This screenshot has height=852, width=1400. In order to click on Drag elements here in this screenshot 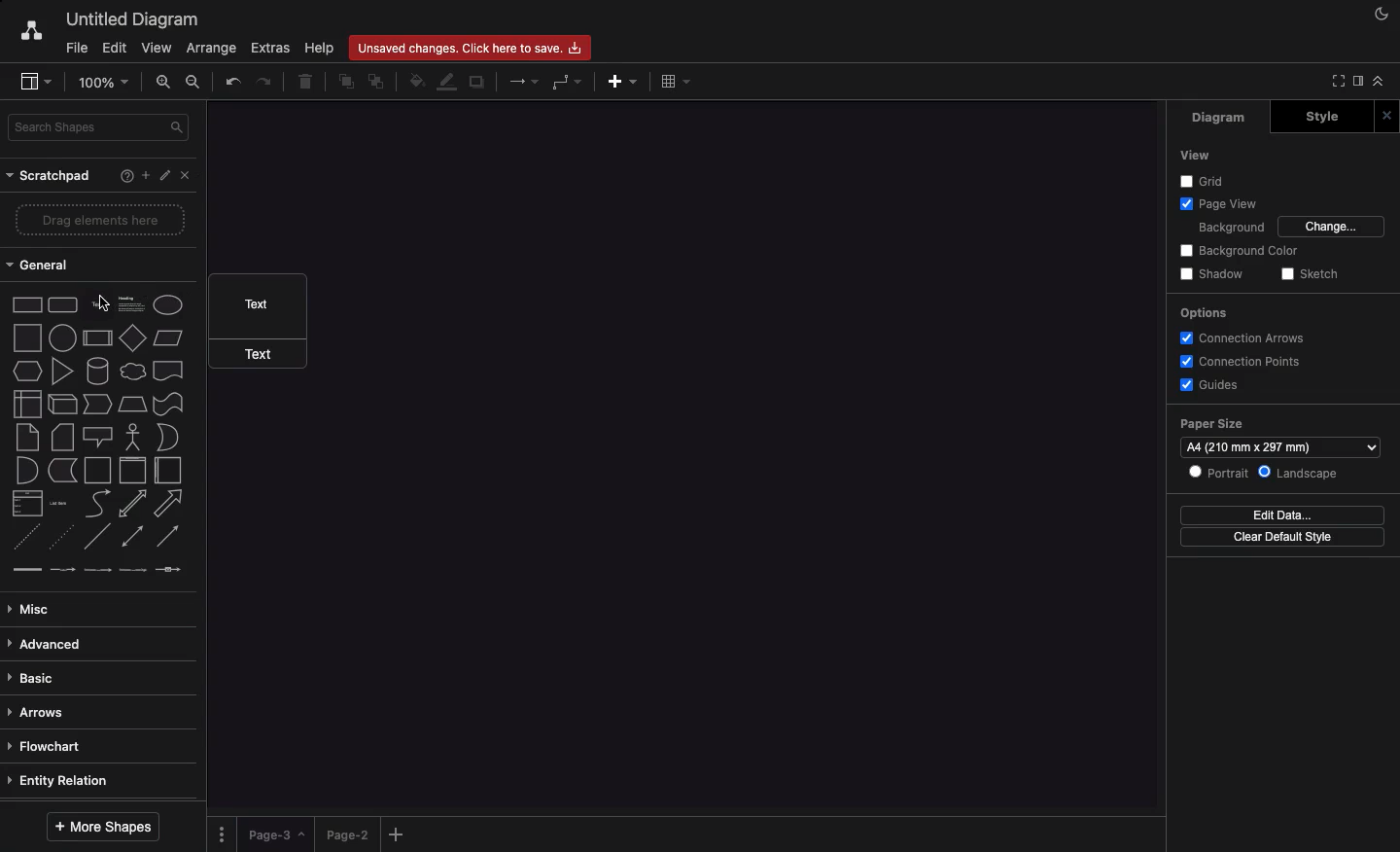, I will do `click(102, 219)`.